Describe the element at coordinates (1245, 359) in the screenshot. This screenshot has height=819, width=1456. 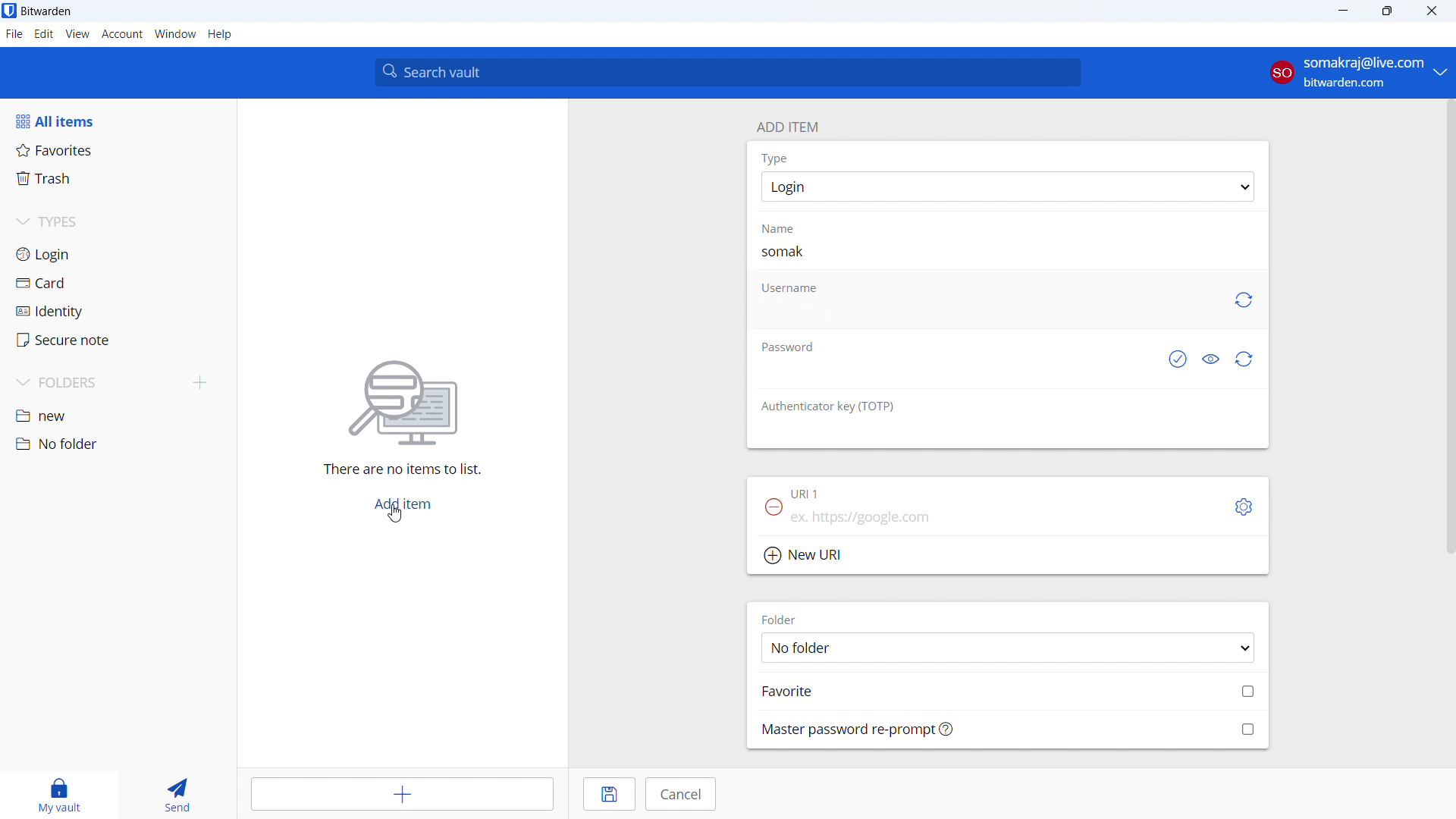
I see `generate password` at that location.